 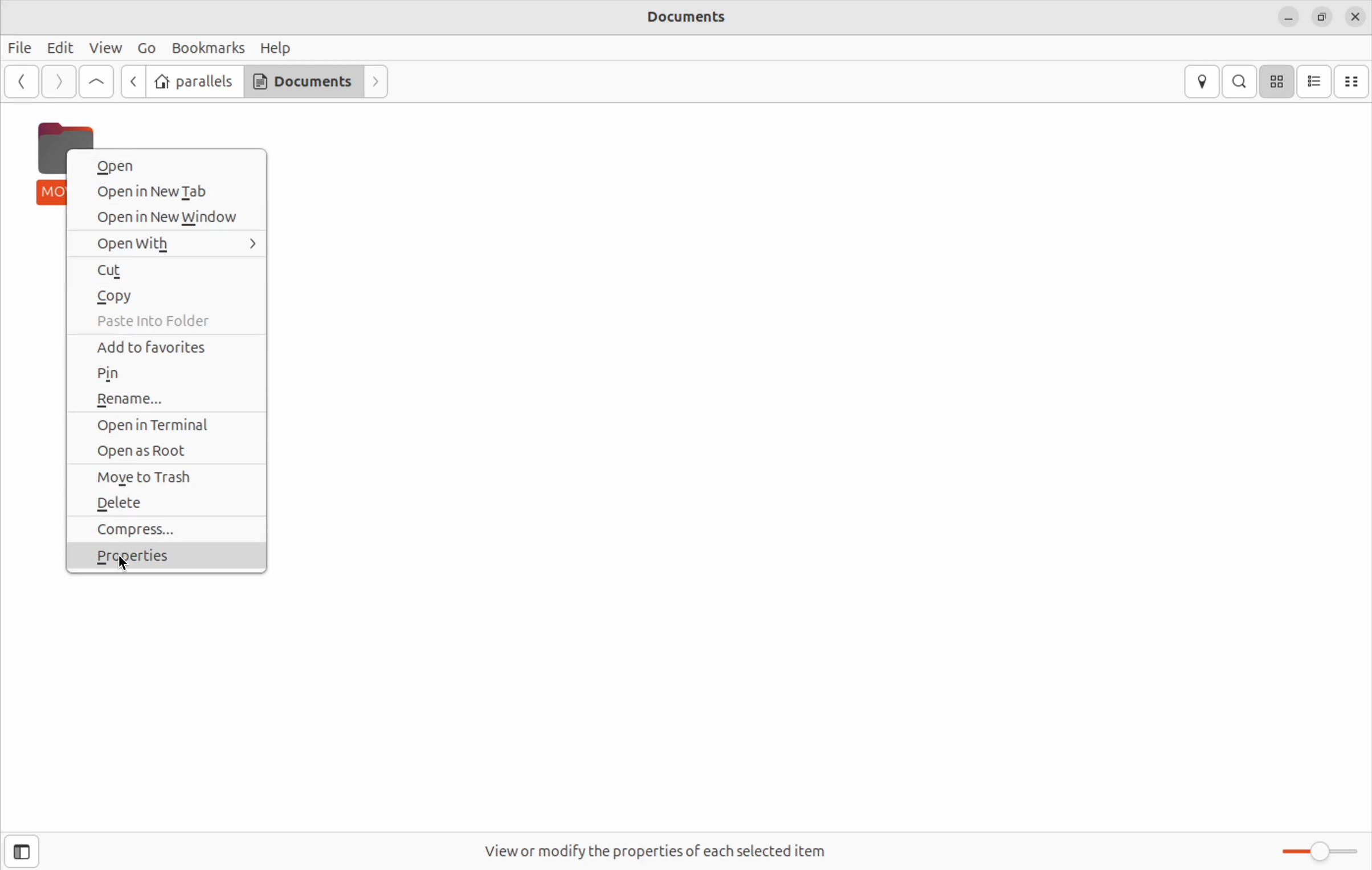 I want to click on icon view, so click(x=1280, y=82).